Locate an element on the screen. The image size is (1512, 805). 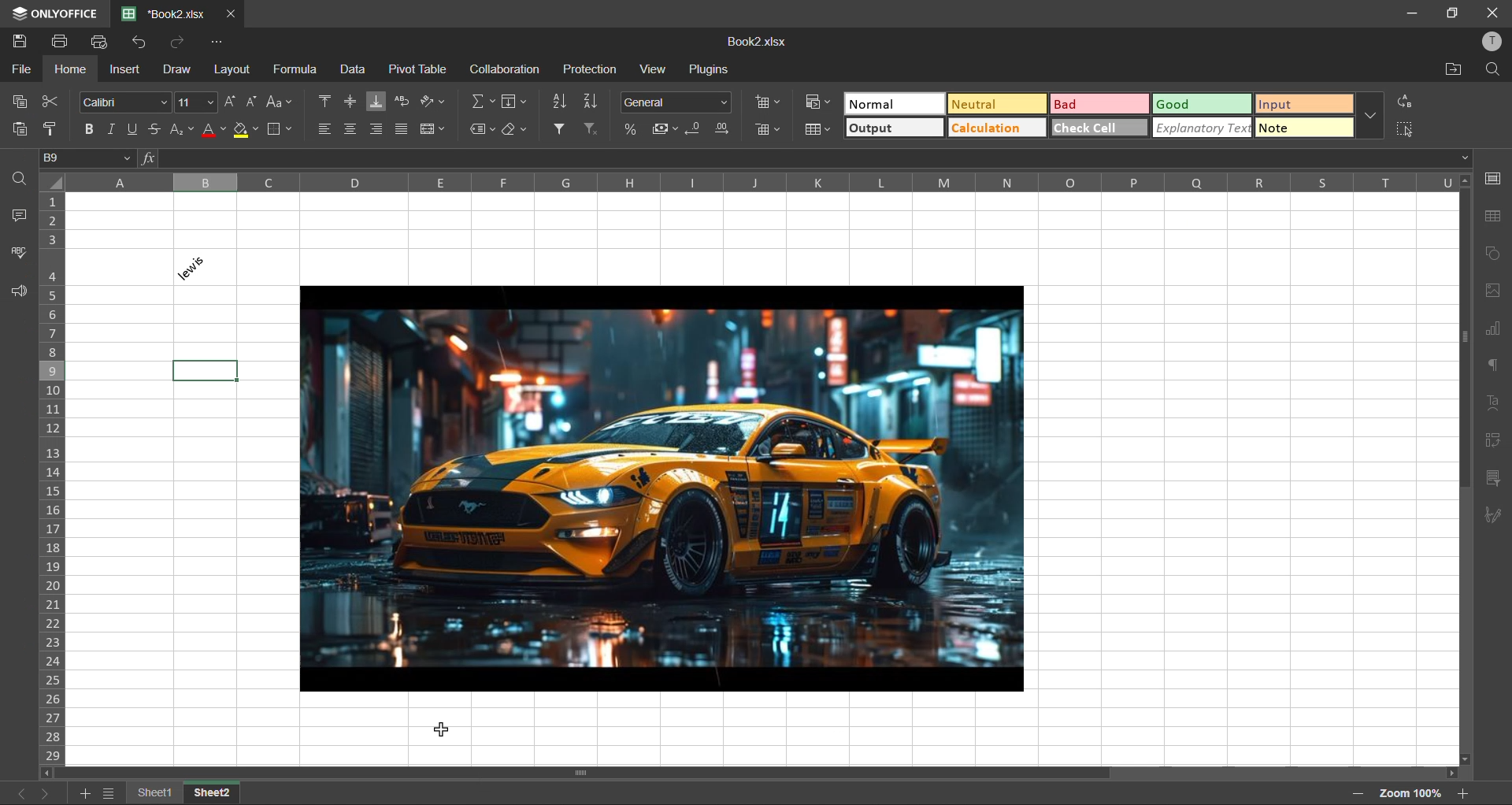
sort descending is located at coordinates (591, 101).